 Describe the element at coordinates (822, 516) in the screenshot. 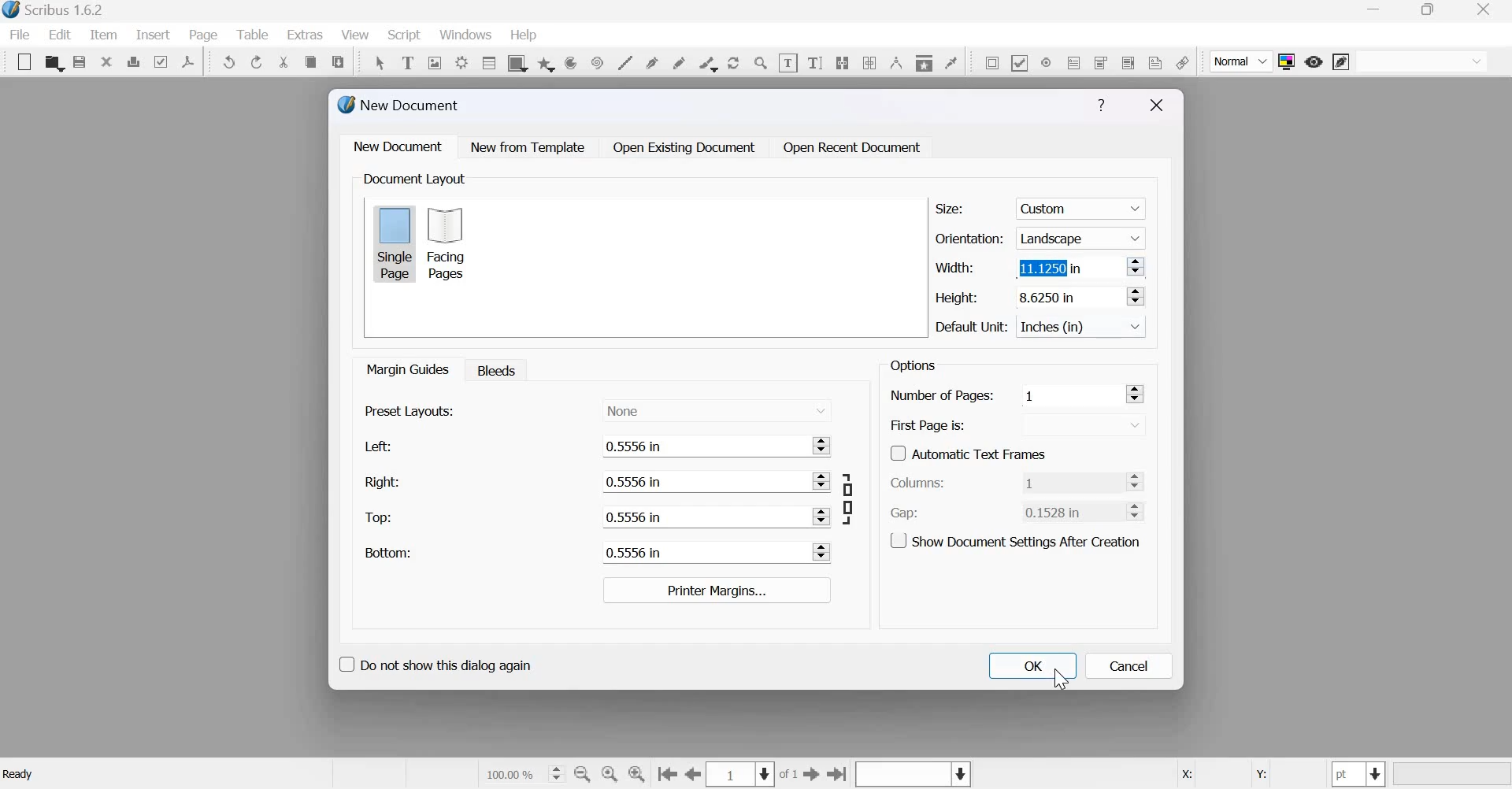

I see `Increase and Decrease` at that location.